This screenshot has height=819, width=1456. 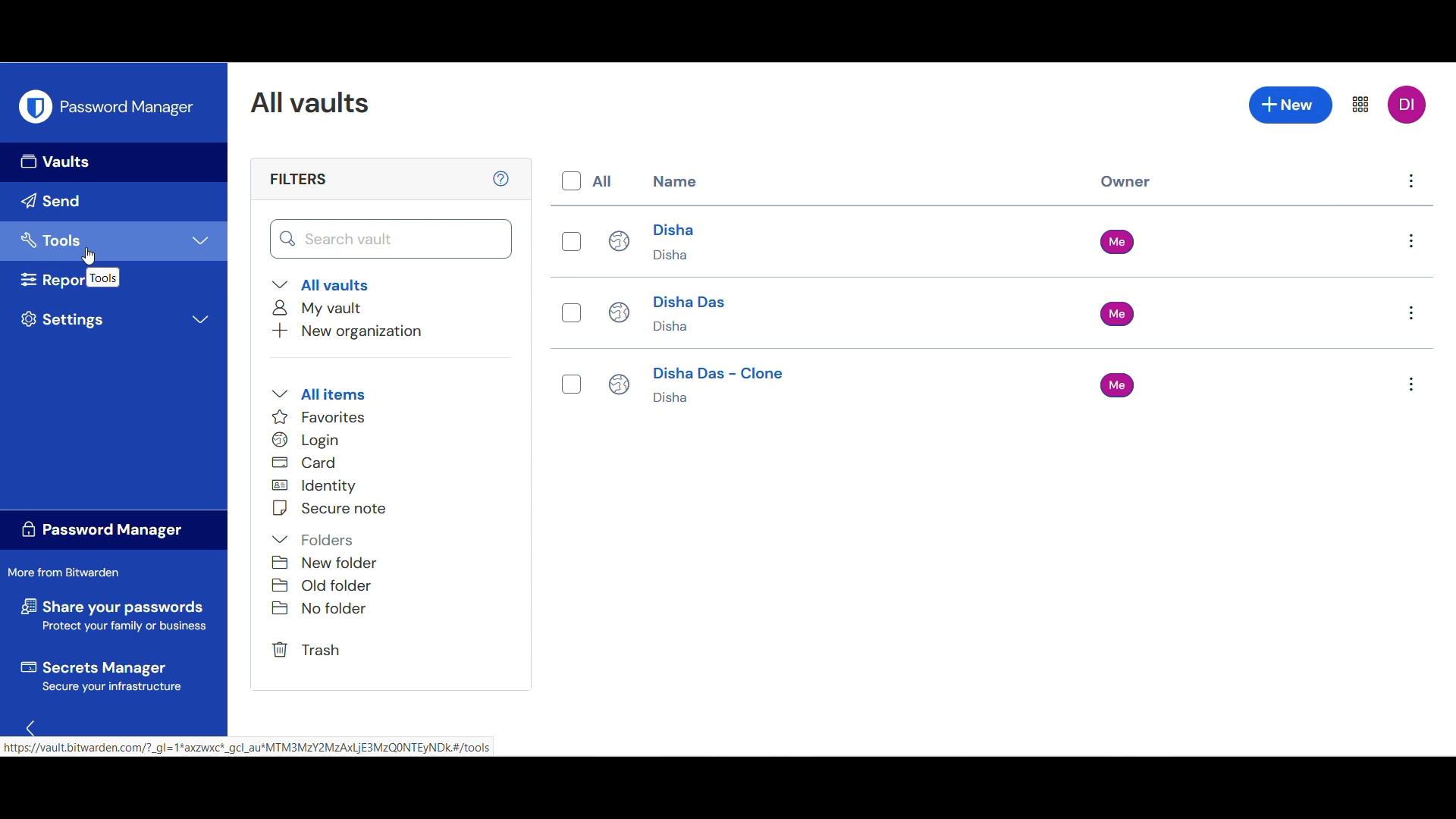 What do you see at coordinates (326, 416) in the screenshot?
I see `Favorites` at bounding box center [326, 416].